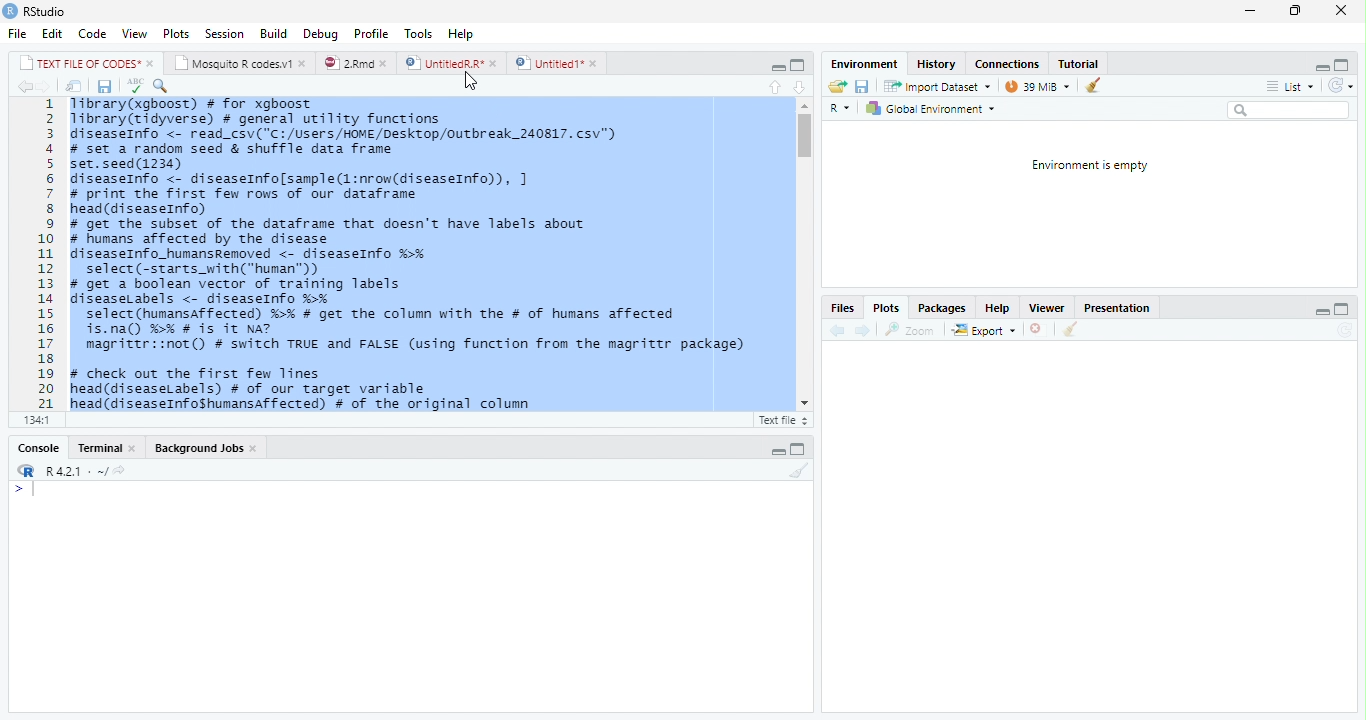  I want to click on Mosquito R codes1, so click(241, 63).